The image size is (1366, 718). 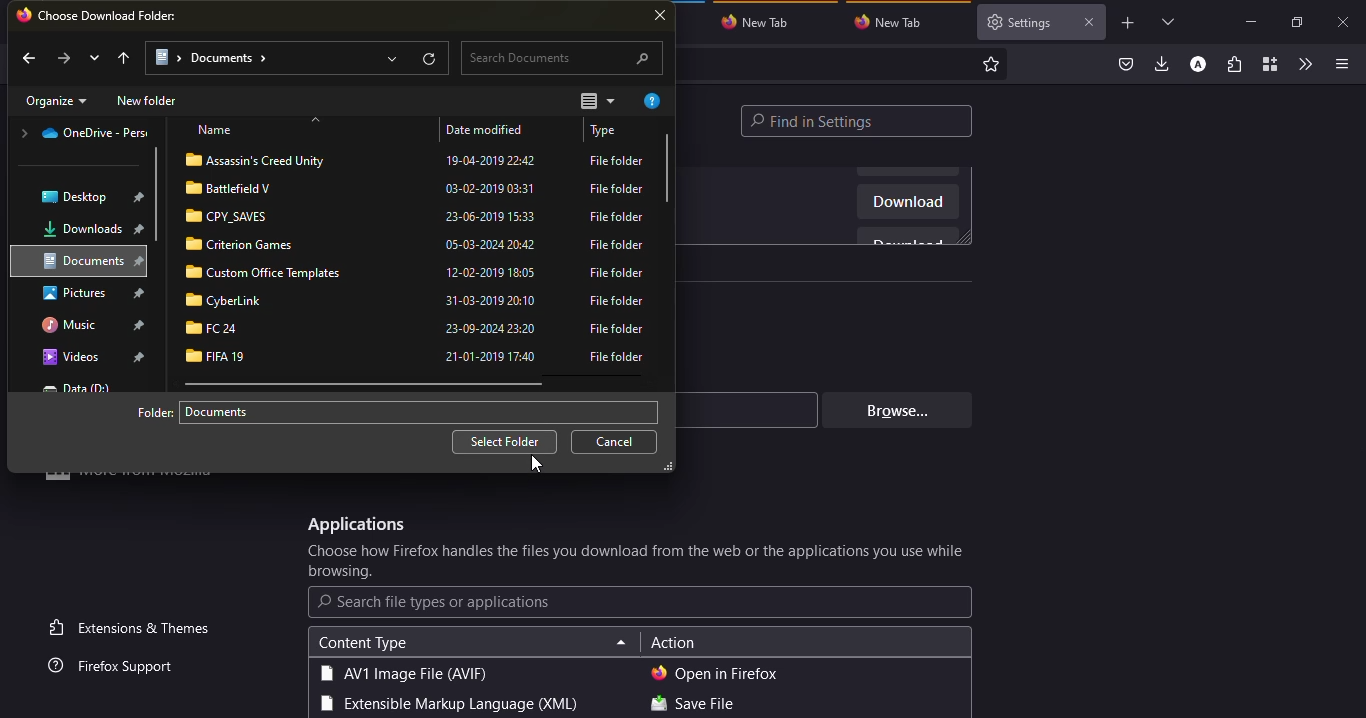 What do you see at coordinates (616, 358) in the screenshot?
I see `type` at bounding box center [616, 358].